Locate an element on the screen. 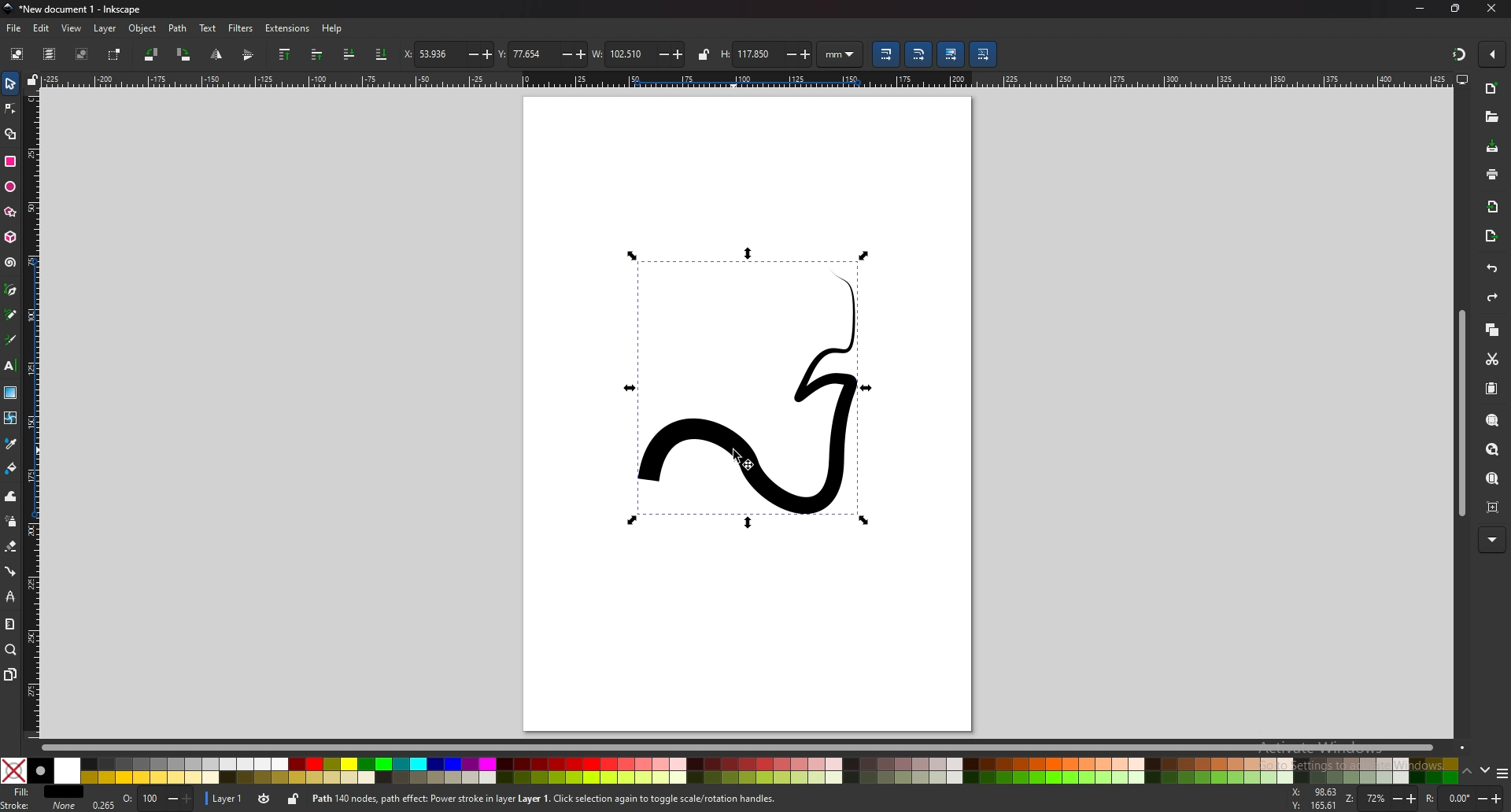  nodes is located at coordinates (11, 108).